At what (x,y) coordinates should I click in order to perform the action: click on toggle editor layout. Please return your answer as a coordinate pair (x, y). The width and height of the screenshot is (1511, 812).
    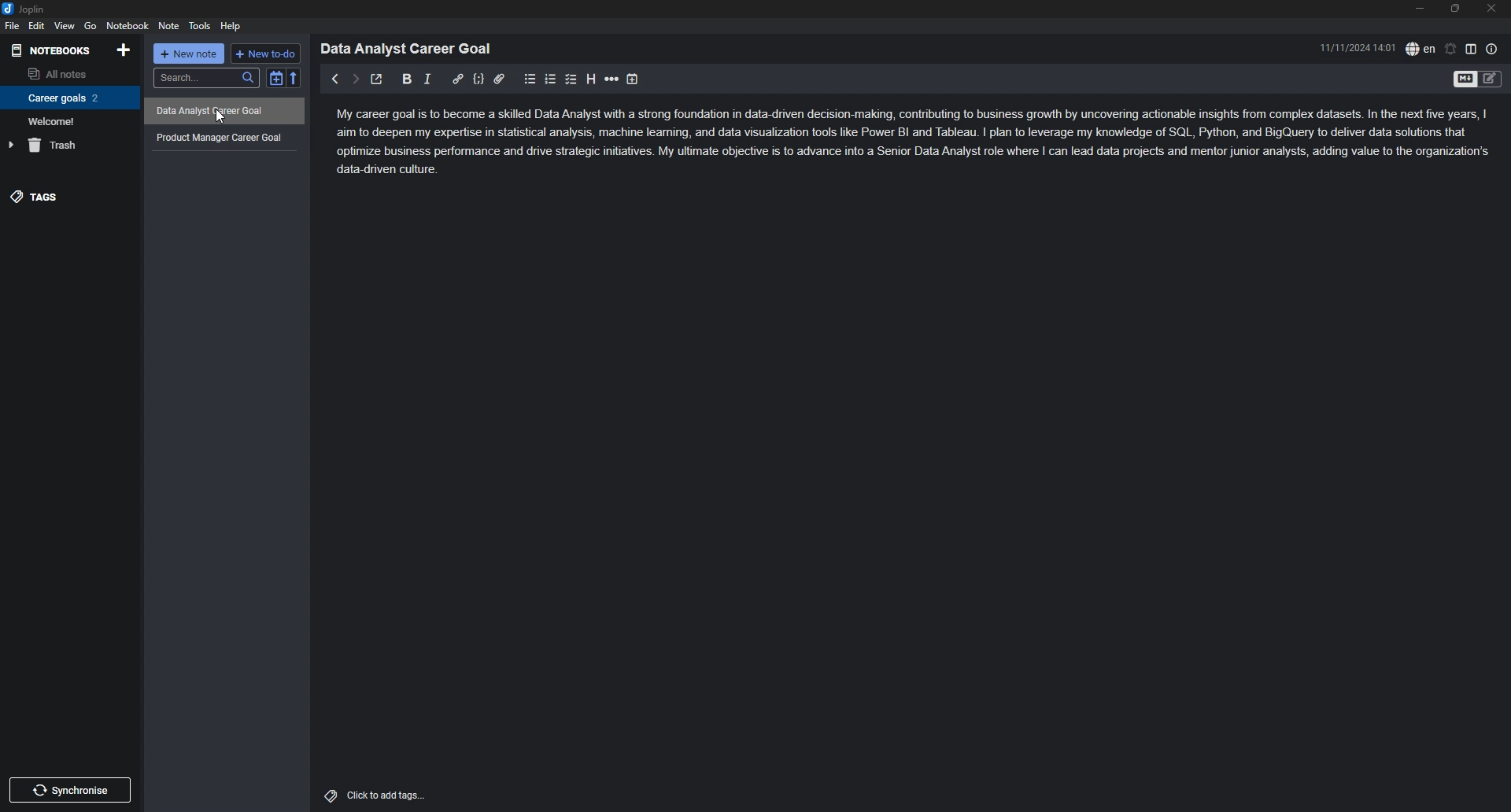
    Looking at the image, I should click on (1471, 48).